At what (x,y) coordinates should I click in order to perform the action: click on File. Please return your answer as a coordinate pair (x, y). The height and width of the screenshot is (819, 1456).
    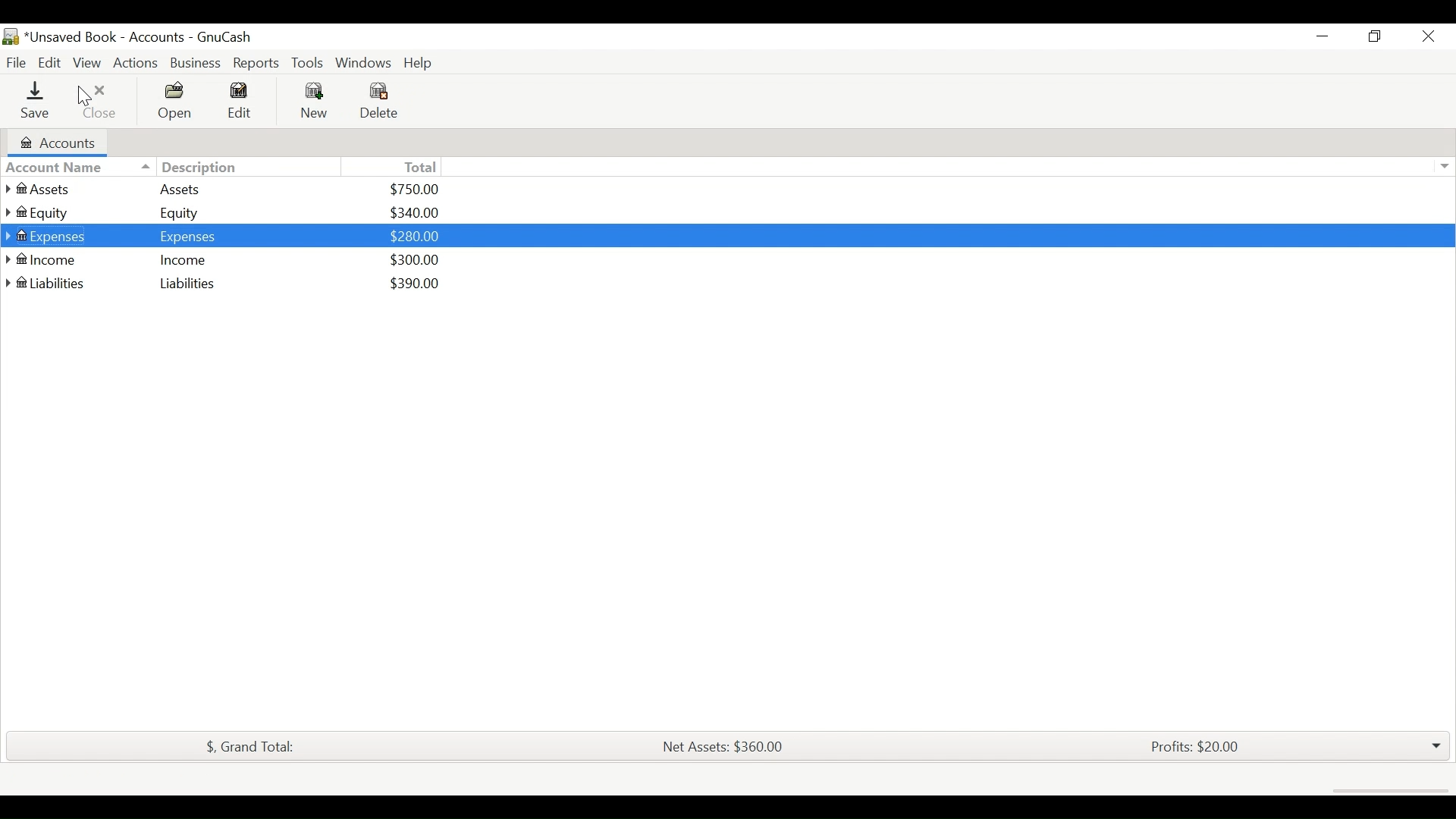
    Looking at the image, I should click on (15, 61).